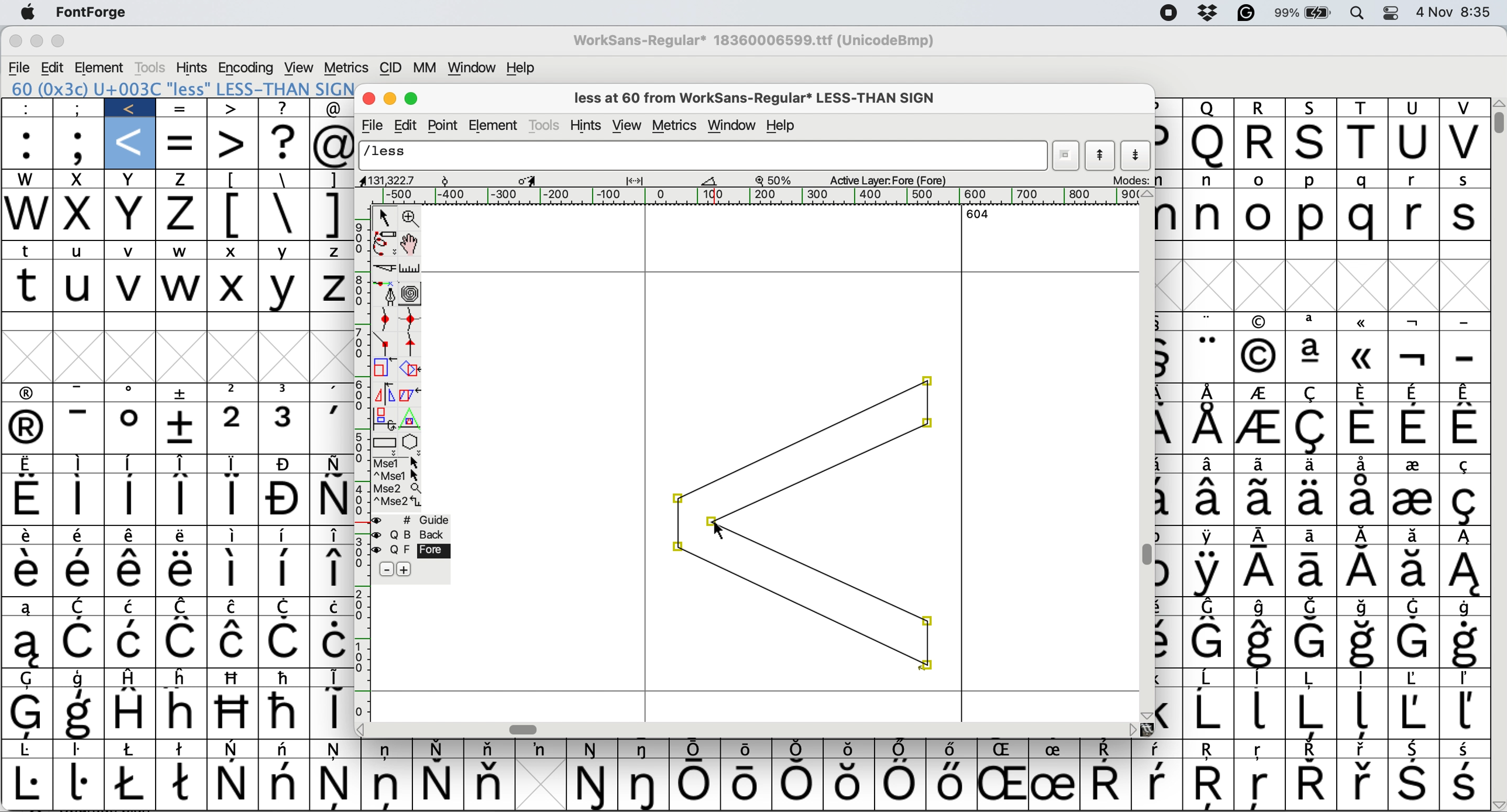 The width and height of the screenshot is (1507, 812). I want to click on Symbol, so click(1315, 573).